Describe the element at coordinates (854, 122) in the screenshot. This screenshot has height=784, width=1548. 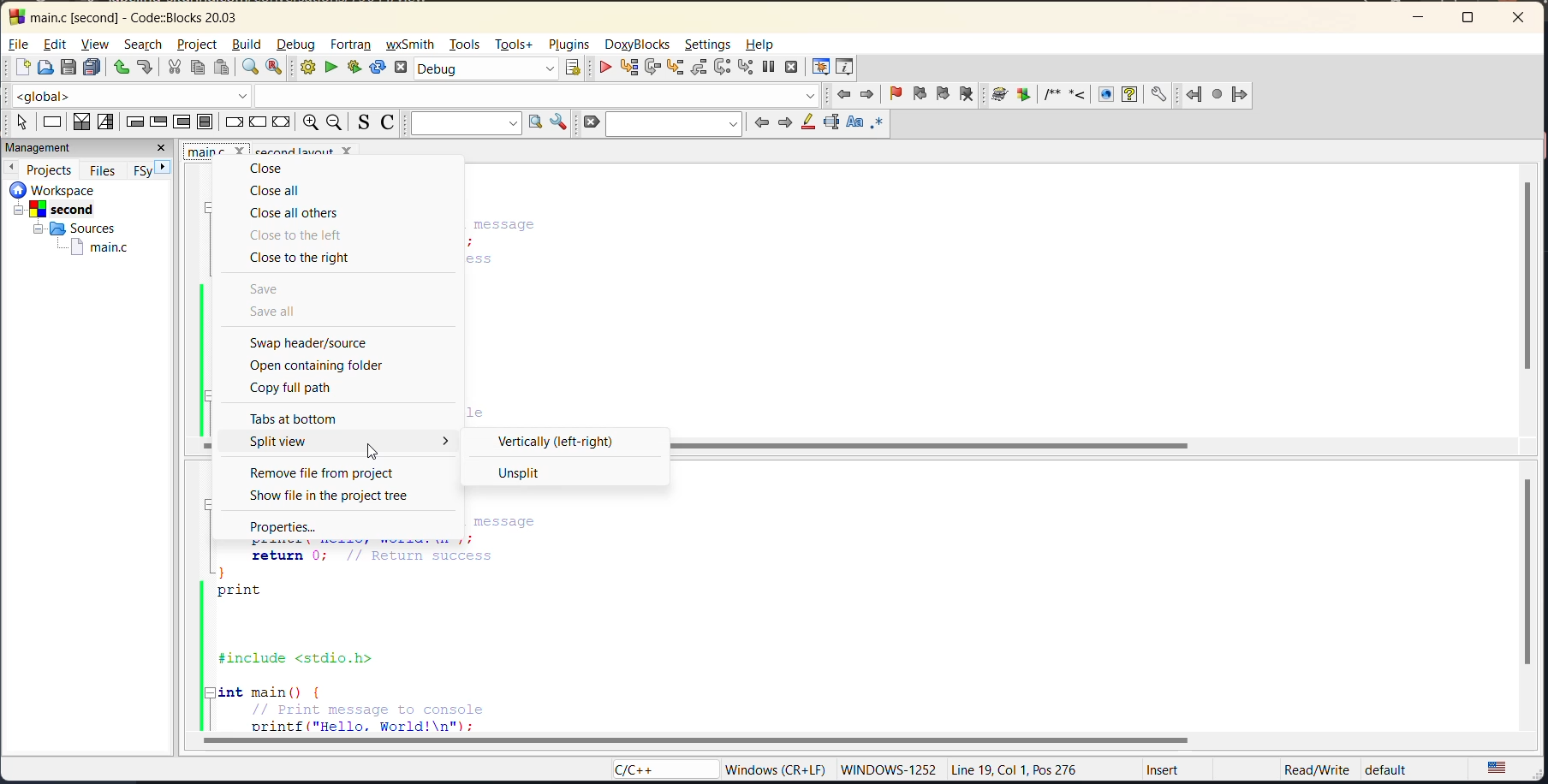
I see `match case` at that location.